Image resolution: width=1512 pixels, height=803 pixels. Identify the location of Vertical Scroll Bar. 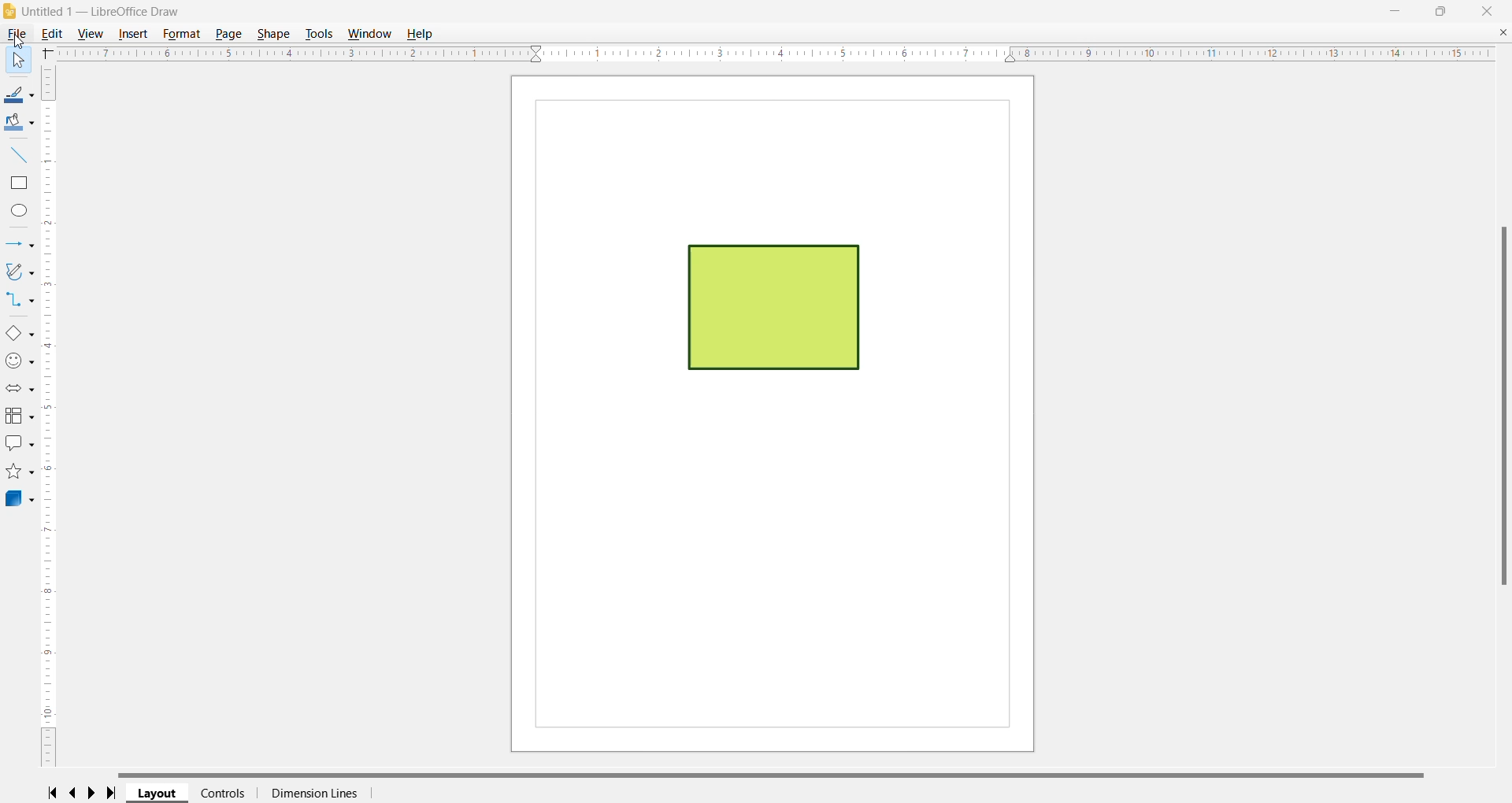
(1501, 405).